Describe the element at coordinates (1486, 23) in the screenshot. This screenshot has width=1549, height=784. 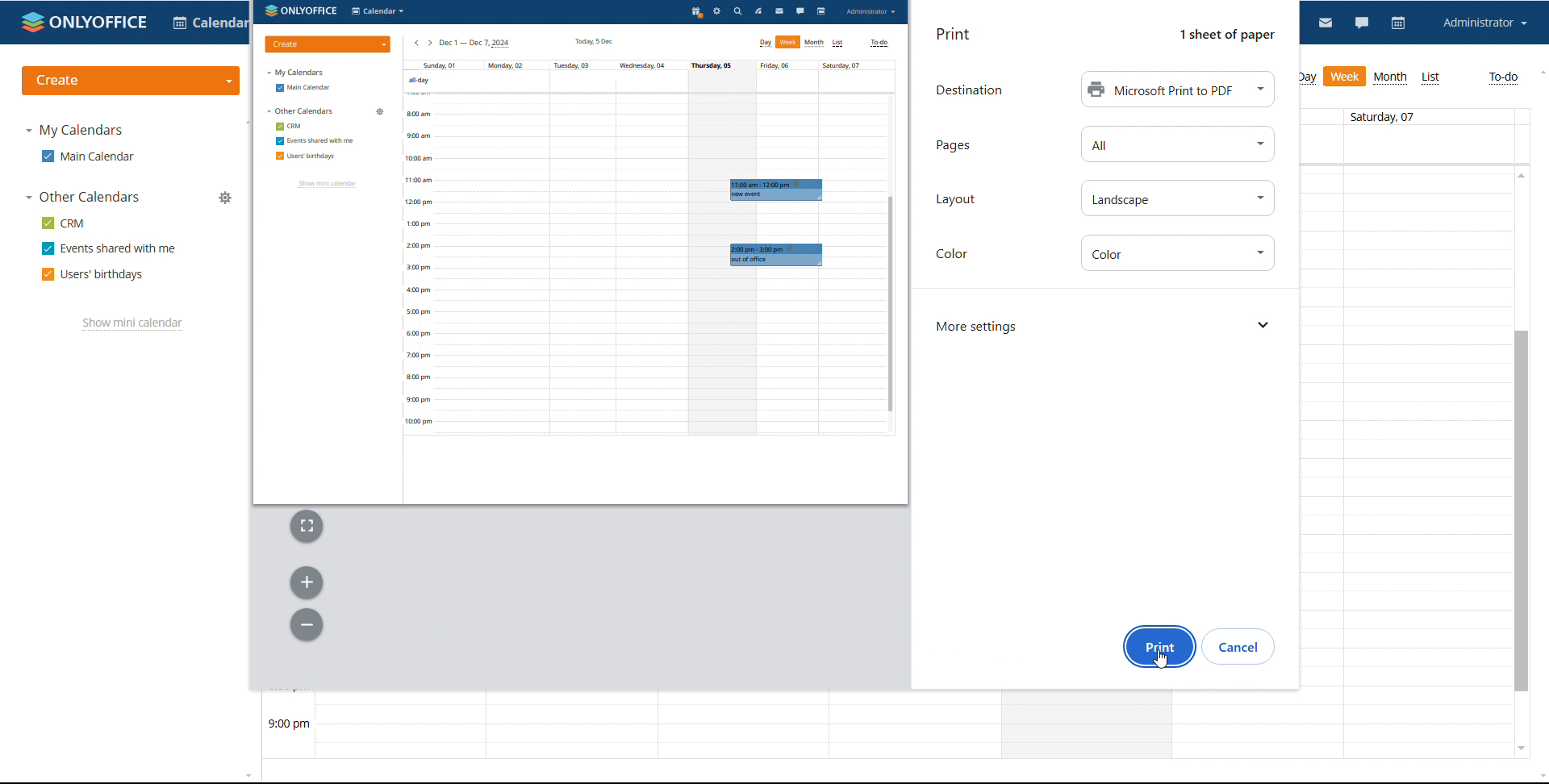
I see `account` at that location.